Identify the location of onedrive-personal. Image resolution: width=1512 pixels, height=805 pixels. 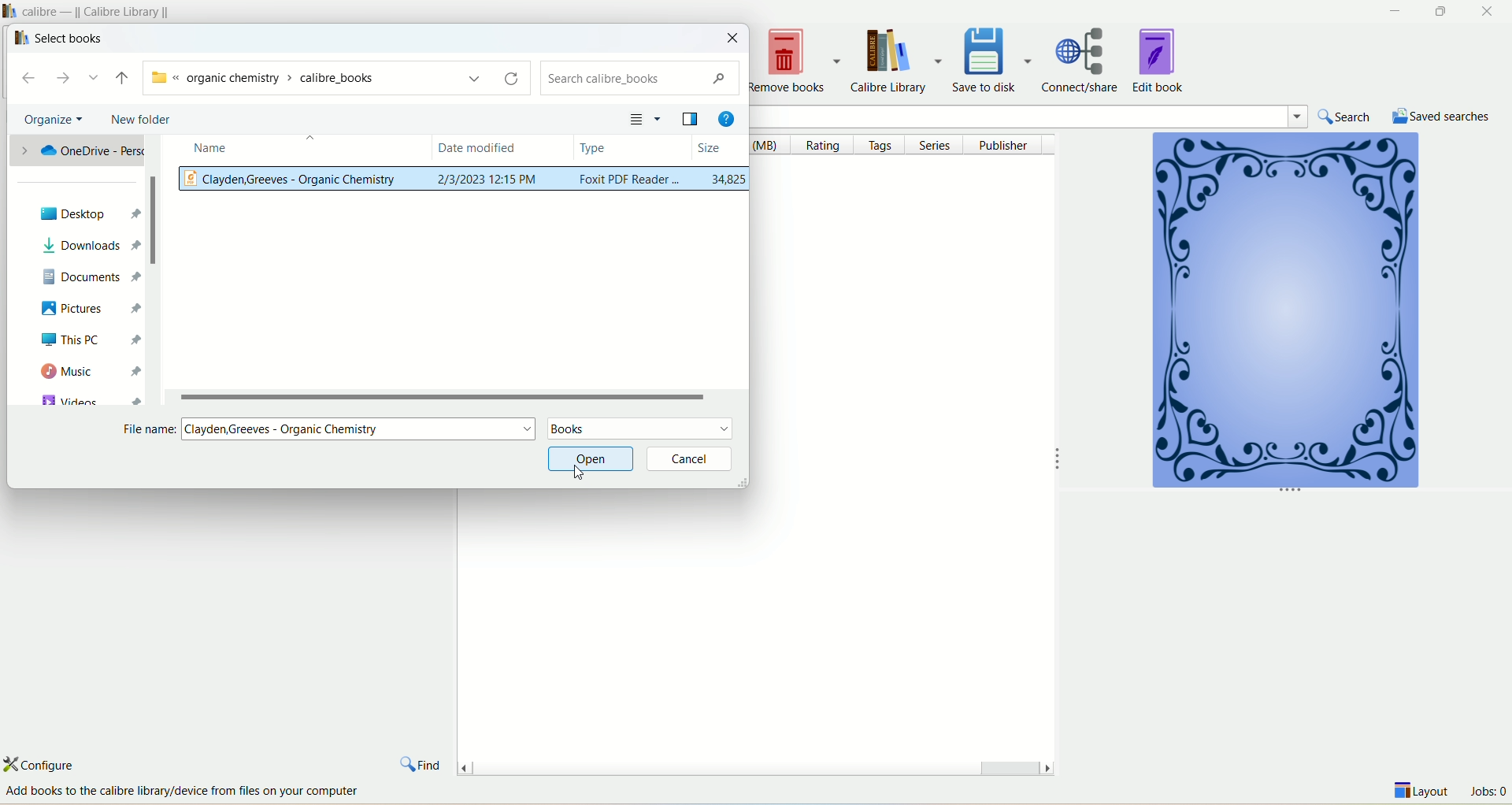
(77, 153).